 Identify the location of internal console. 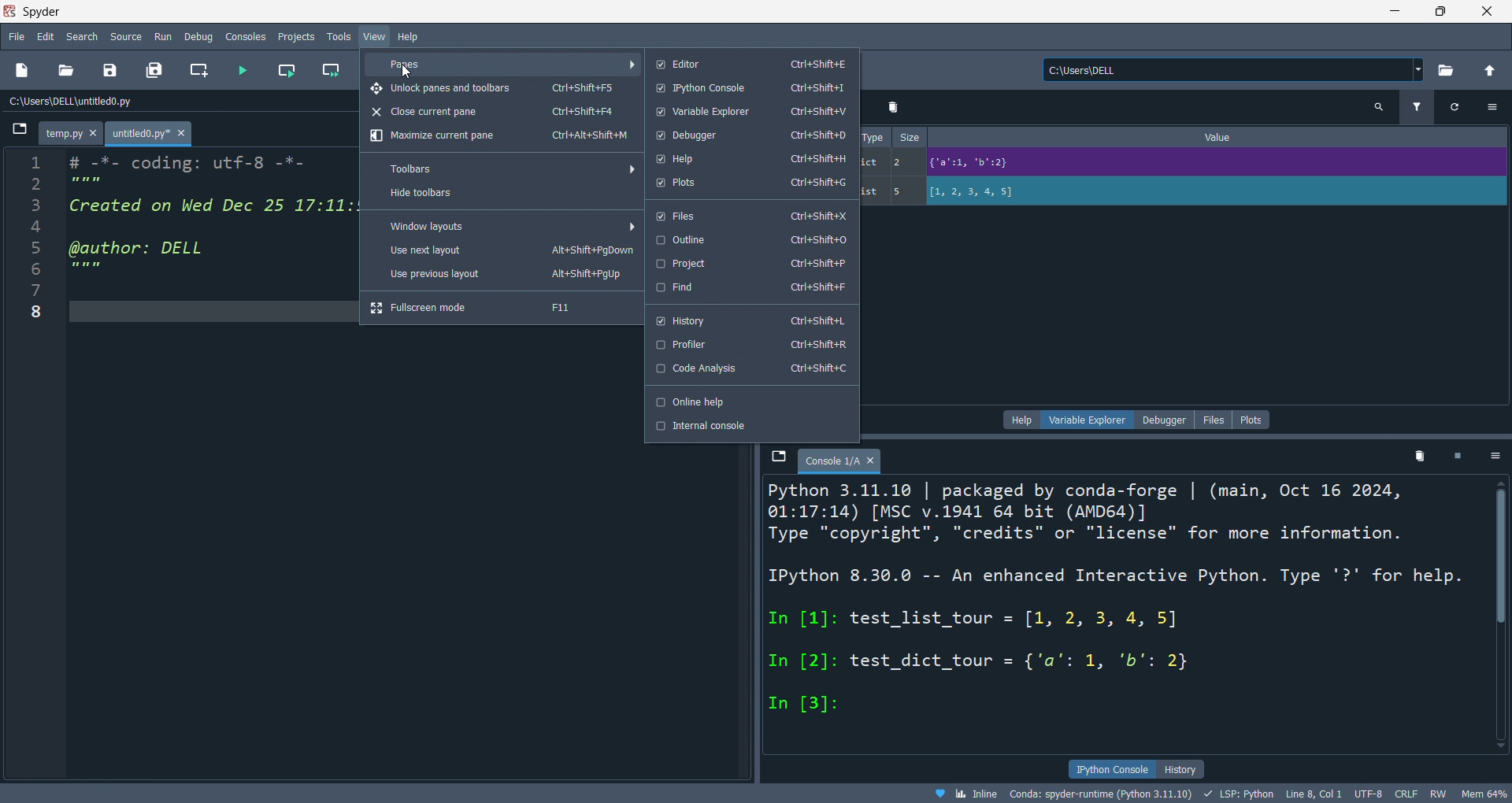
(750, 426).